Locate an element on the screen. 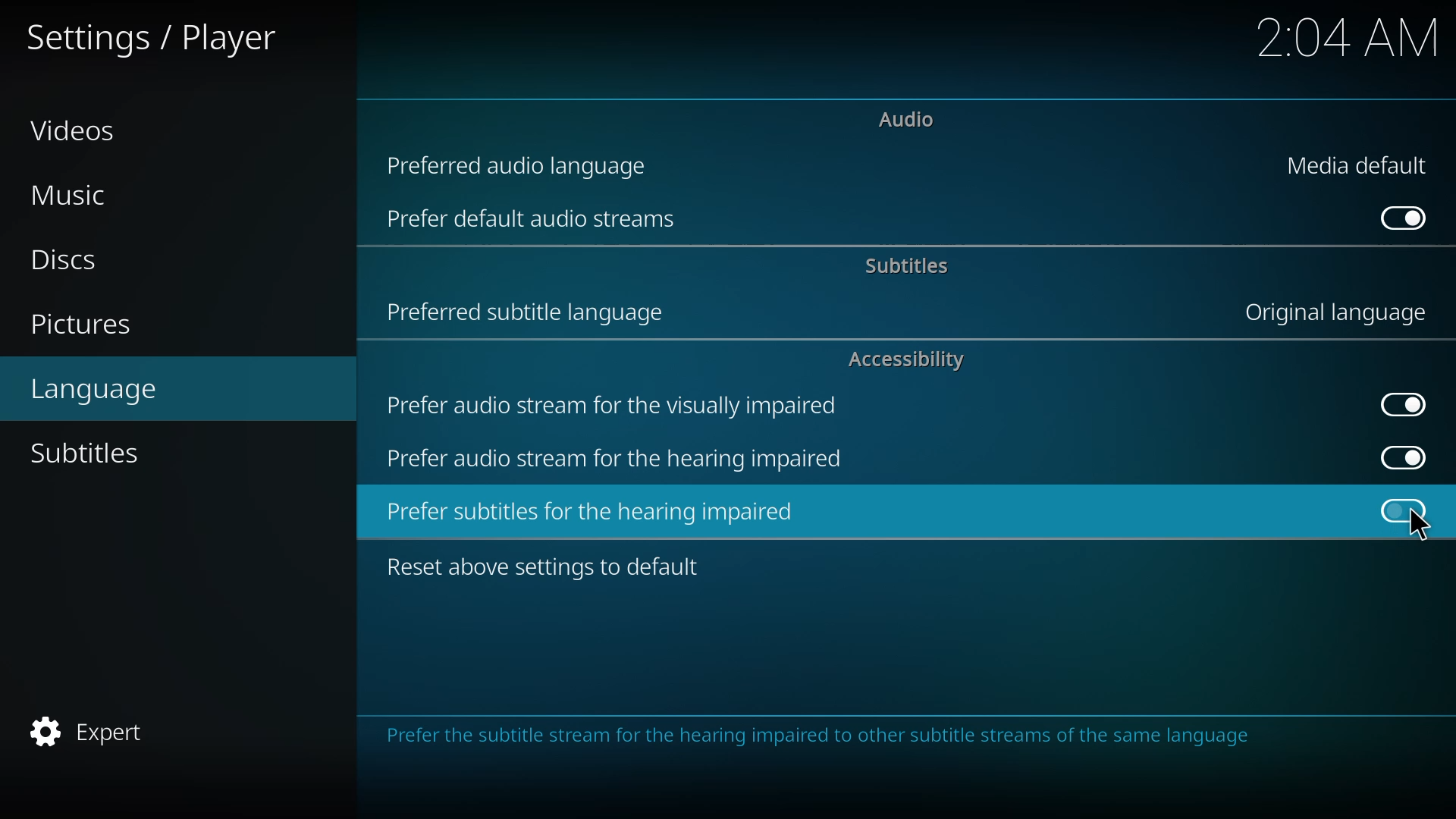 The image size is (1456, 819). original language is located at coordinates (1330, 312).